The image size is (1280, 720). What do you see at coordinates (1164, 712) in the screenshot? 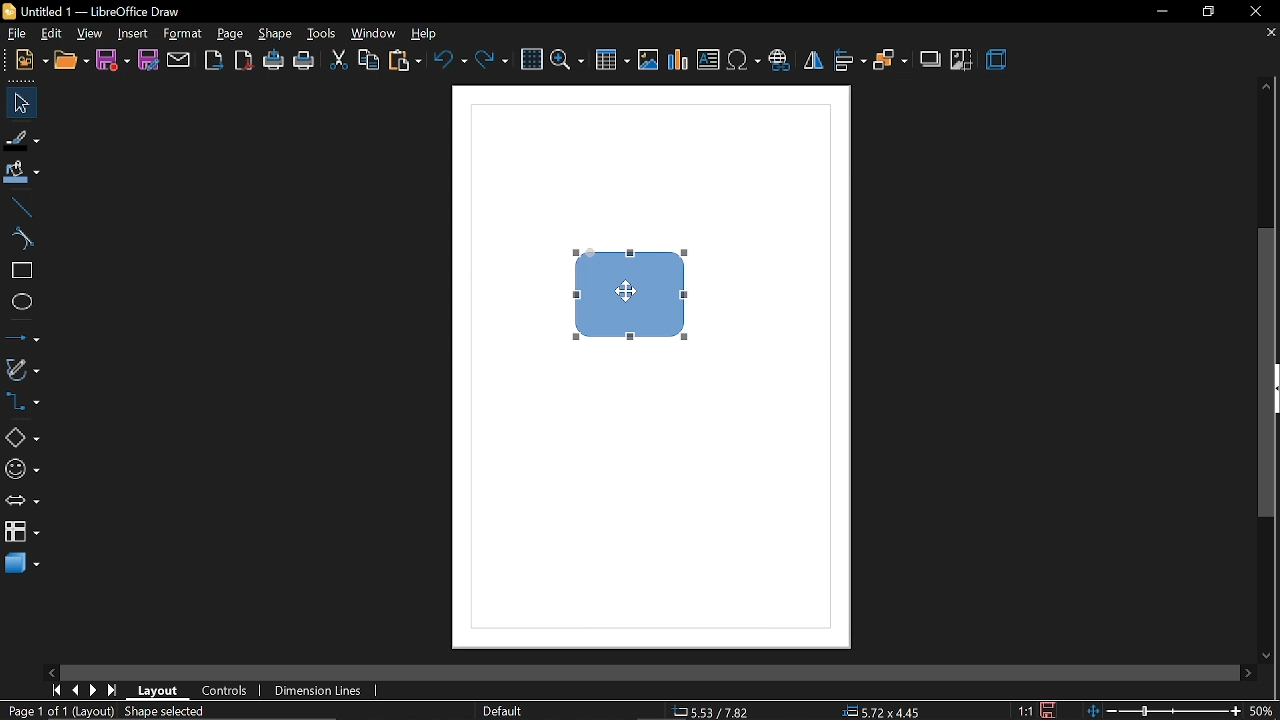
I see `zoom change` at bounding box center [1164, 712].